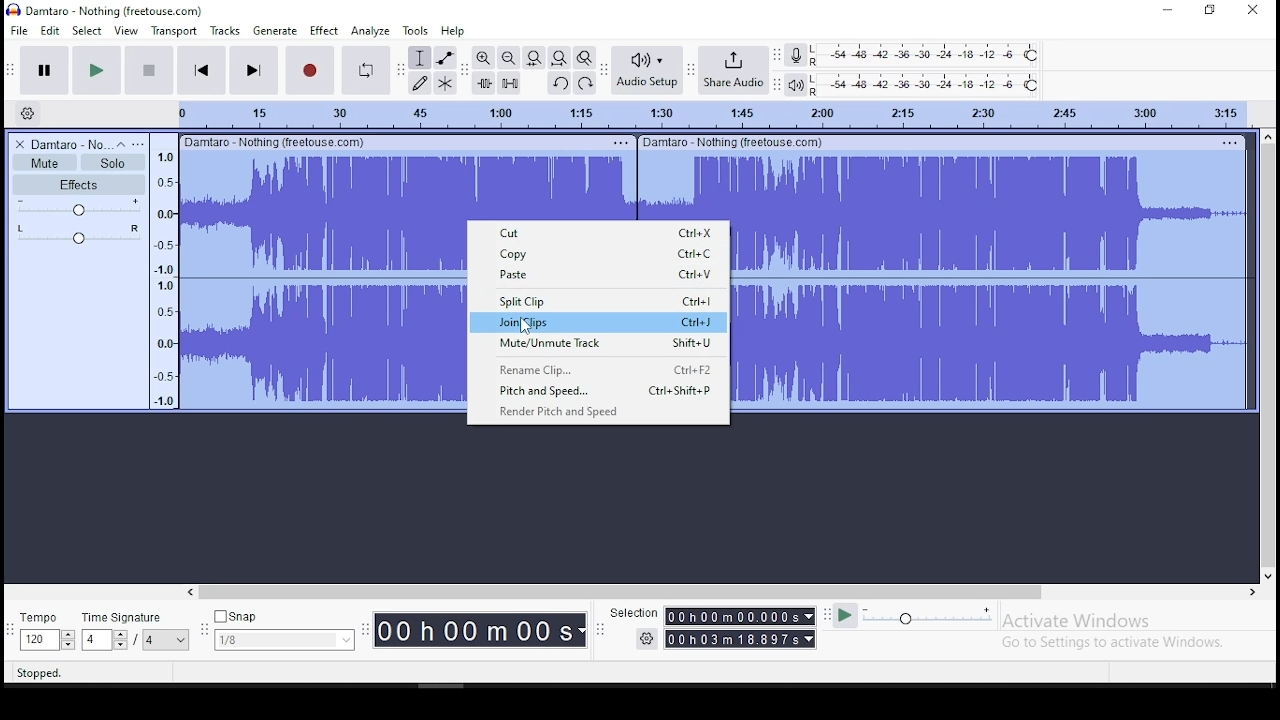 Image resolution: width=1280 pixels, height=720 pixels. What do you see at coordinates (284, 641) in the screenshot?
I see `snap` at bounding box center [284, 641].